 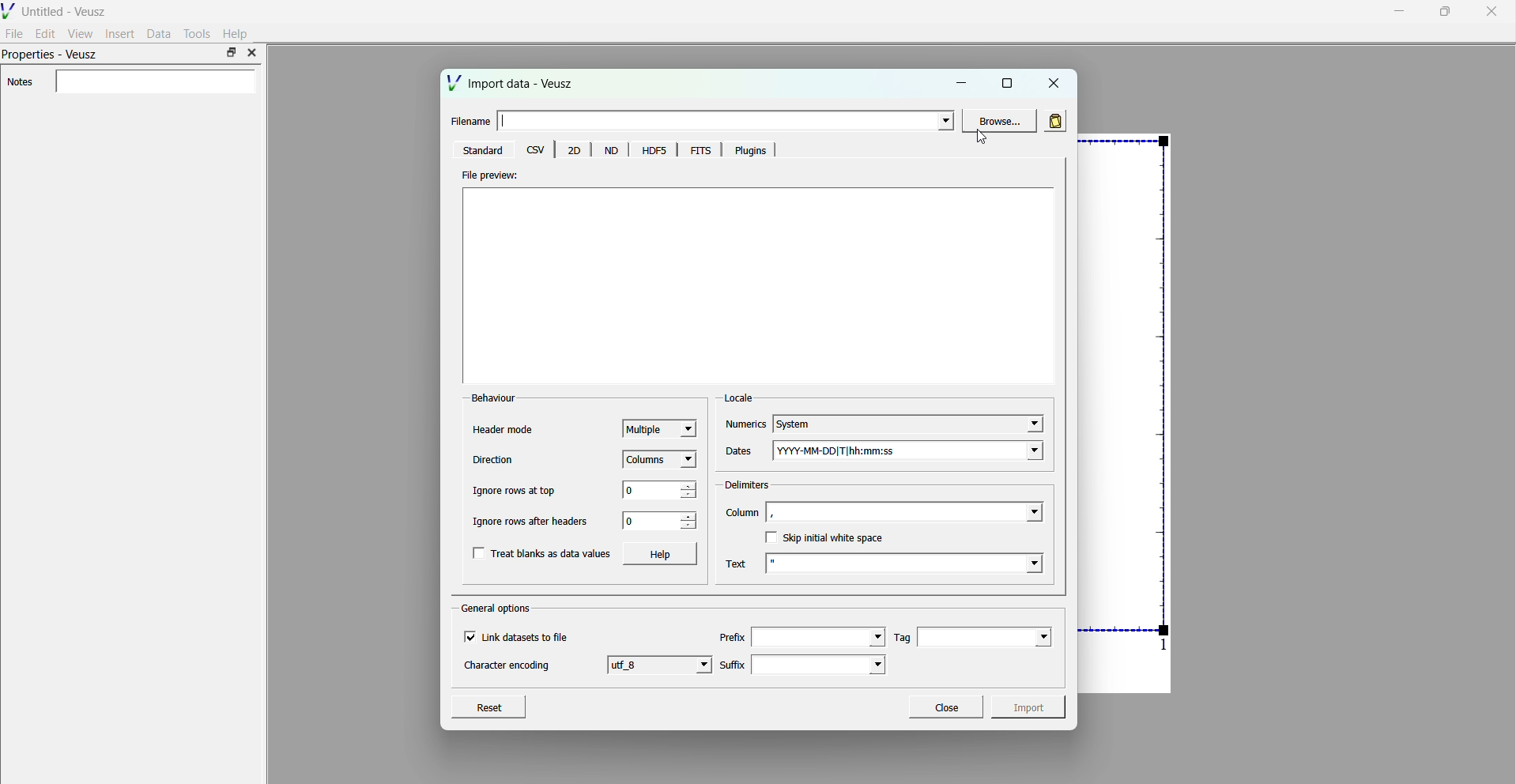 What do you see at coordinates (20, 82) in the screenshot?
I see `Notes` at bounding box center [20, 82].